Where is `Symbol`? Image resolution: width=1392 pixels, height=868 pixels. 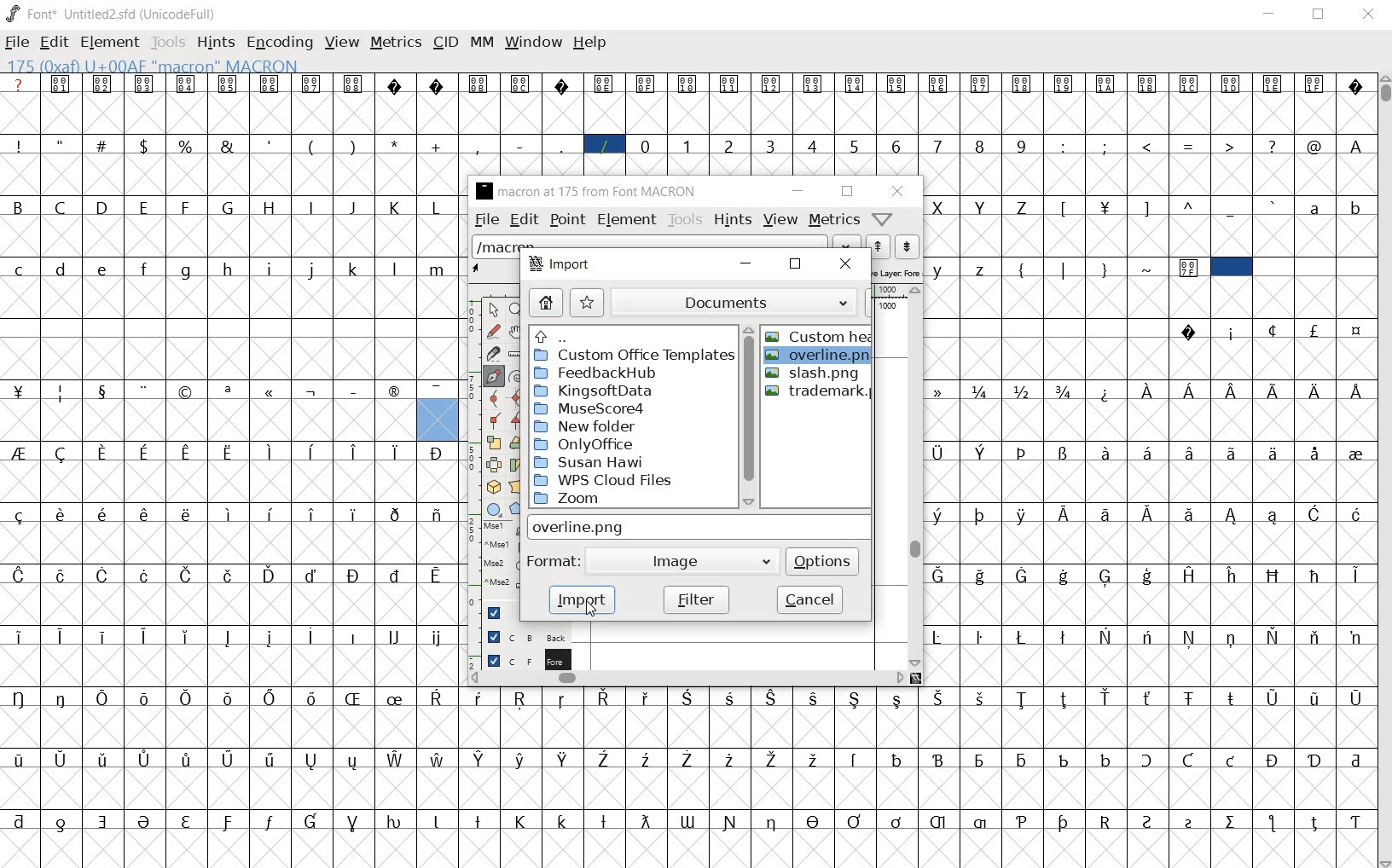 Symbol is located at coordinates (393, 638).